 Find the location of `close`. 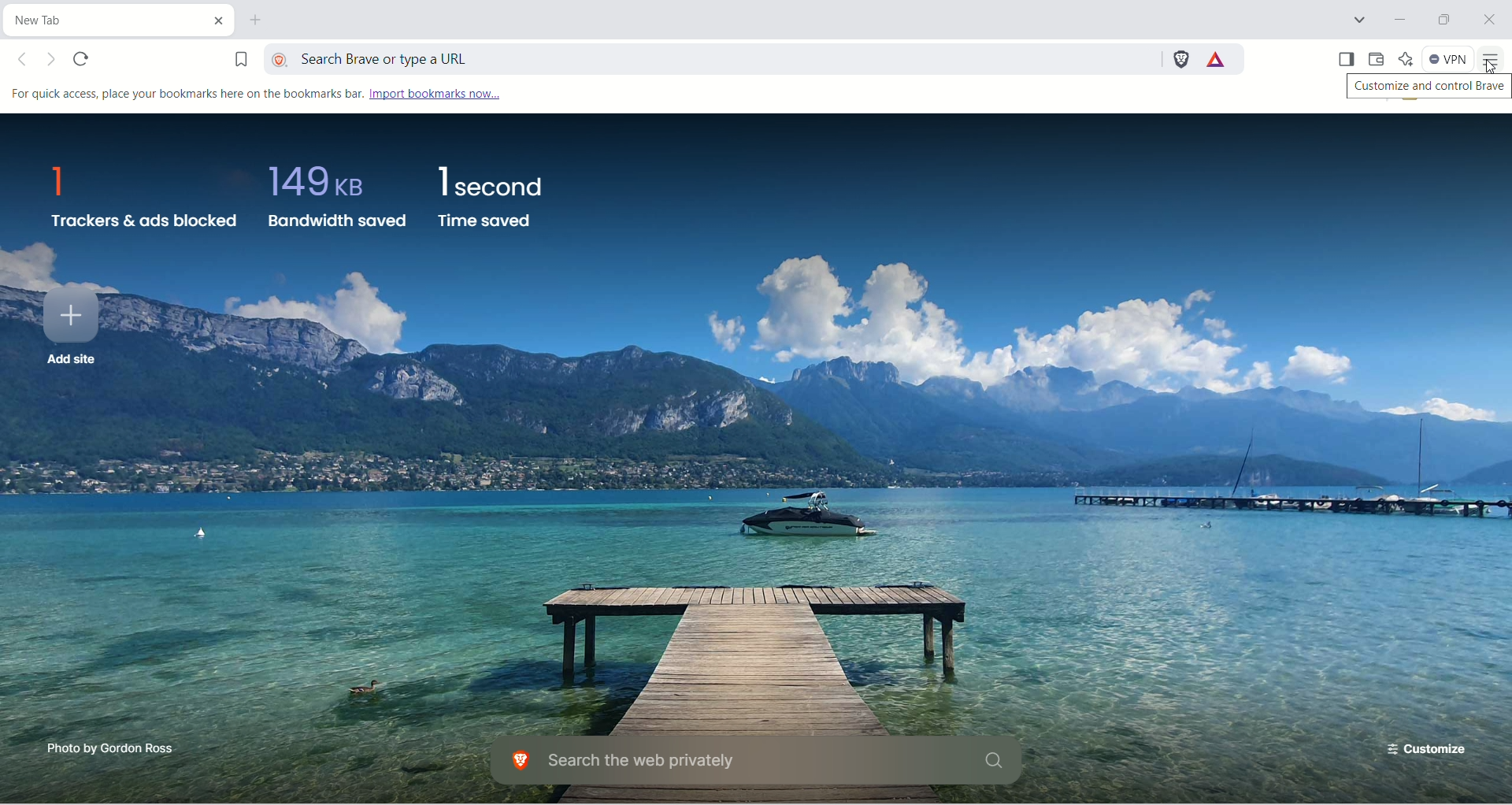

close is located at coordinates (1488, 18).